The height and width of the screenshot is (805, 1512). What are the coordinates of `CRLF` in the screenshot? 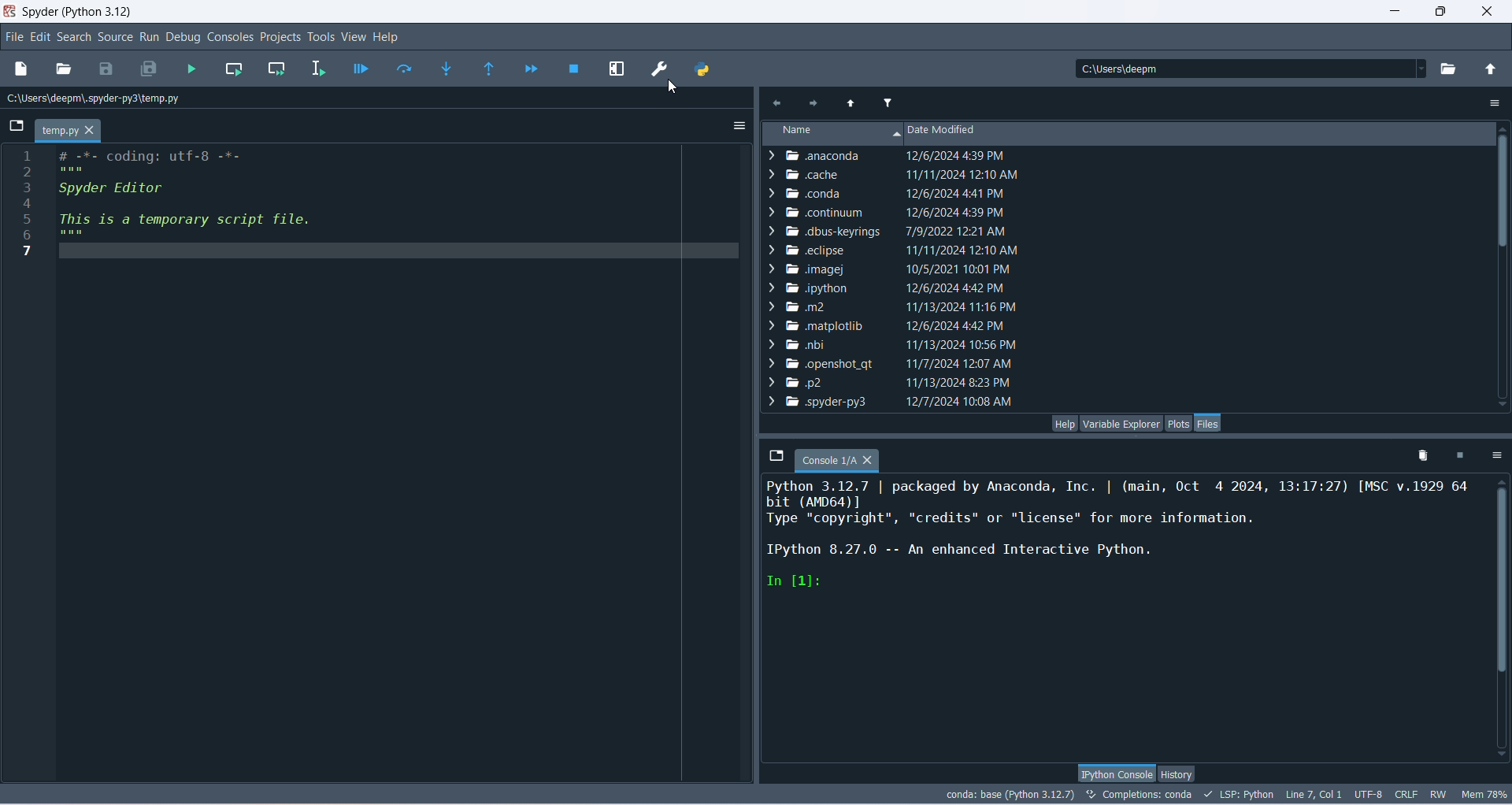 It's located at (1407, 795).